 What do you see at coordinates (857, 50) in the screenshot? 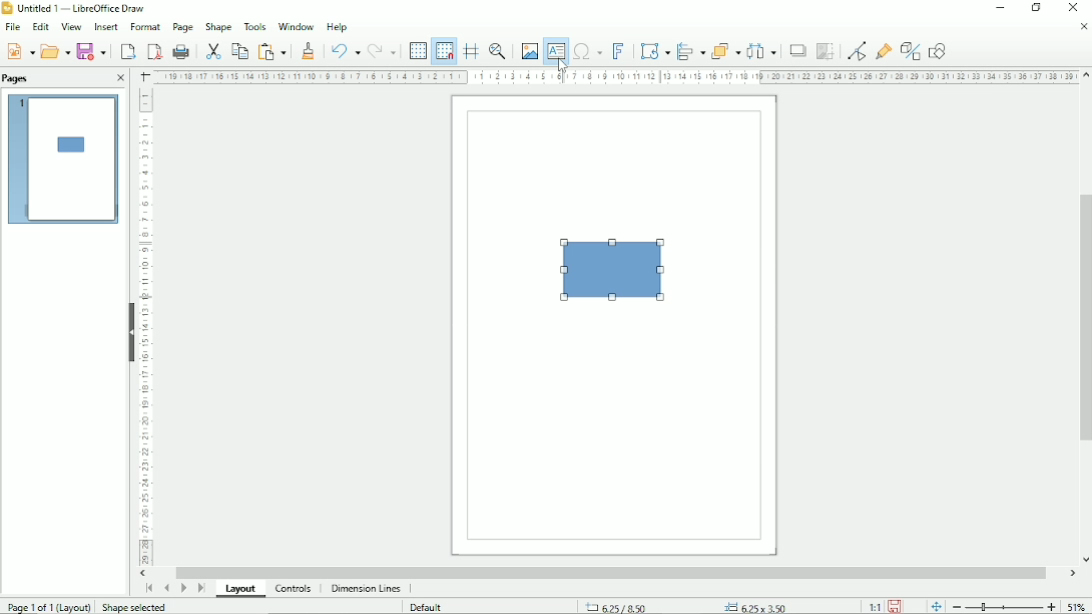
I see `Toggle point edit mode` at bounding box center [857, 50].